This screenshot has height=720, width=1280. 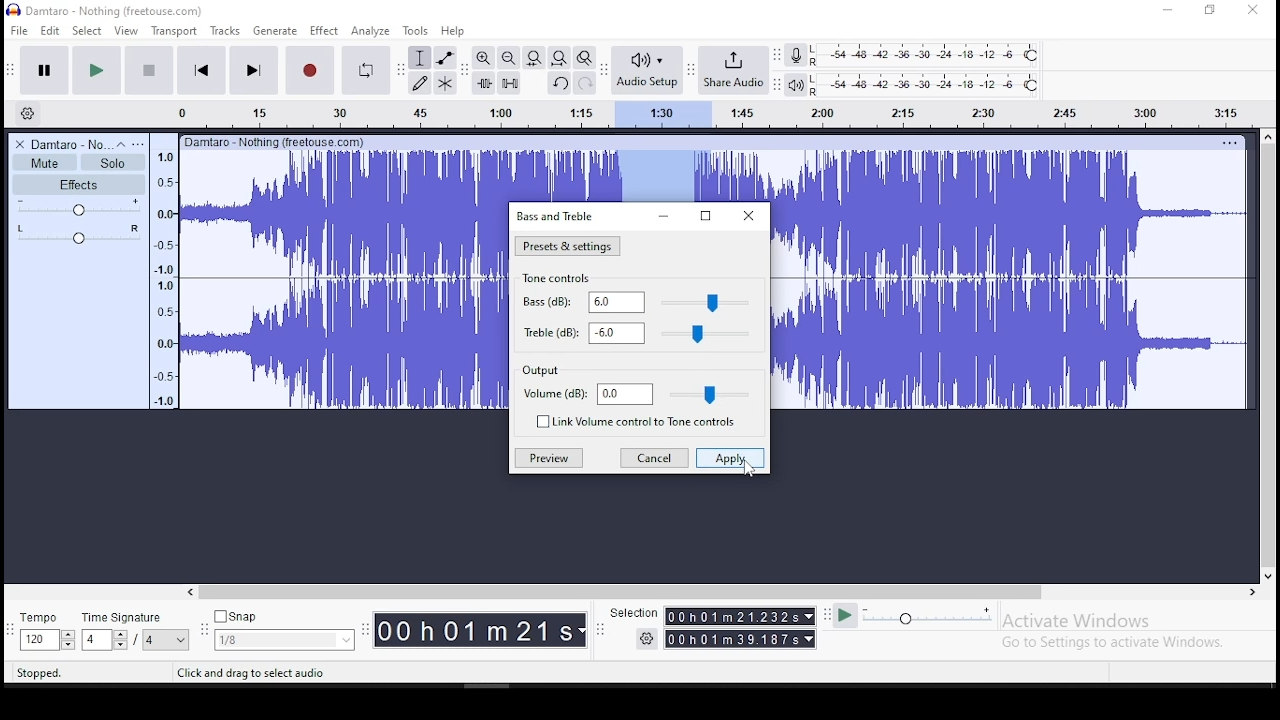 What do you see at coordinates (694, 111) in the screenshot?
I see `Audio bar` at bounding box center [694, 111].